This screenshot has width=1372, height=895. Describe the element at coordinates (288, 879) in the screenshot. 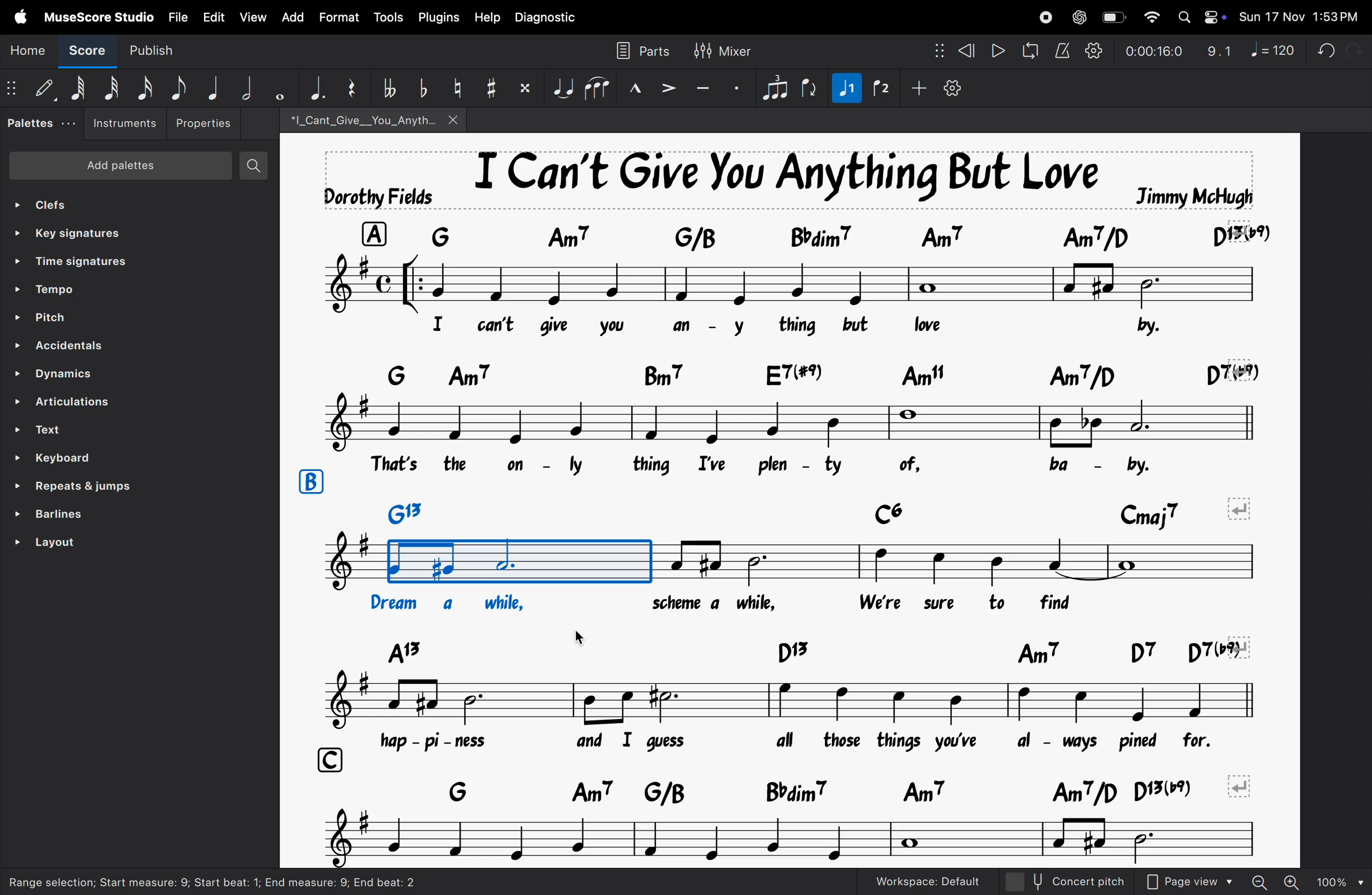

I see `task bar` at that location.